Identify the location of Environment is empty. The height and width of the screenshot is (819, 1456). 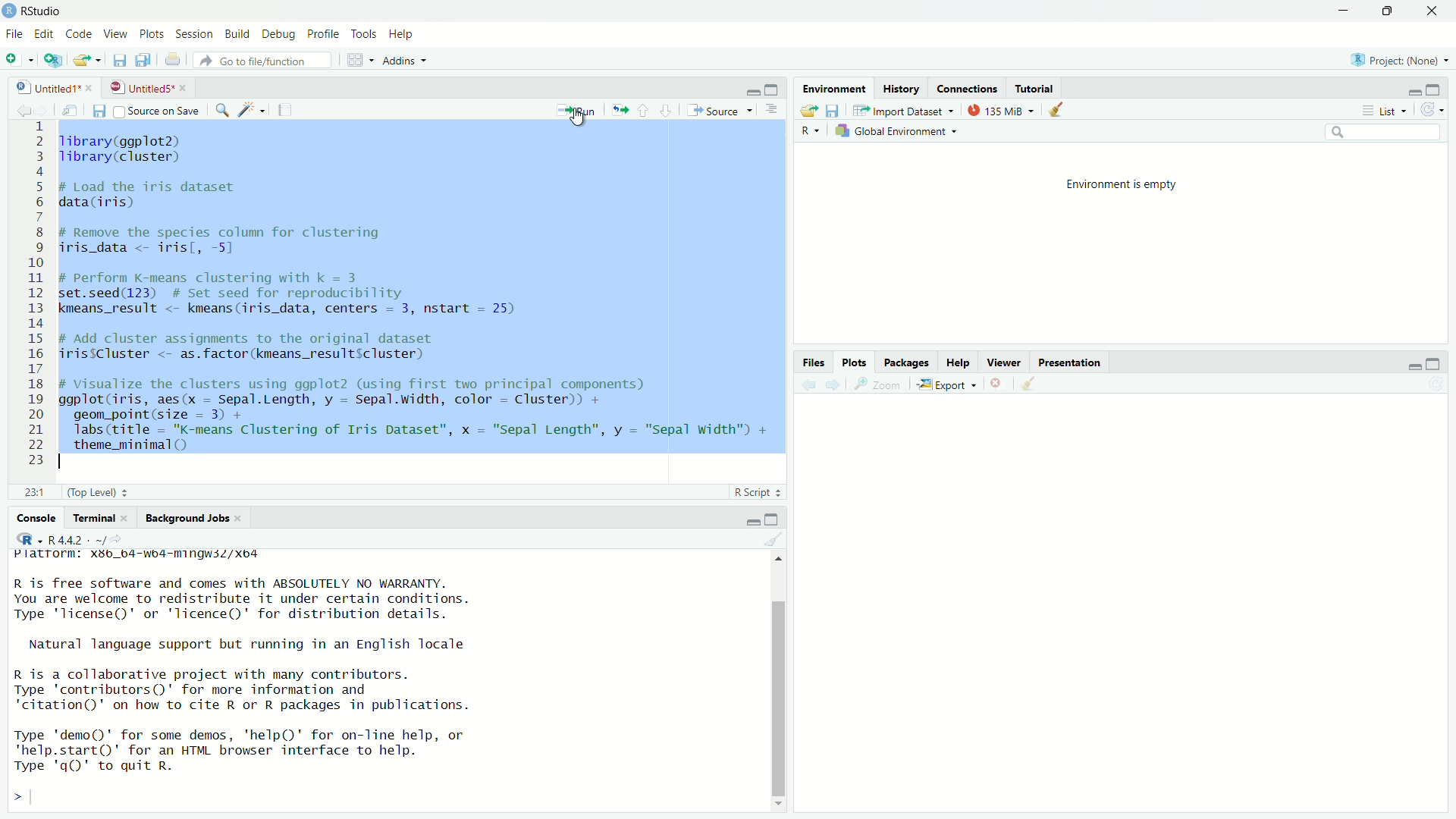
(1119, 185).